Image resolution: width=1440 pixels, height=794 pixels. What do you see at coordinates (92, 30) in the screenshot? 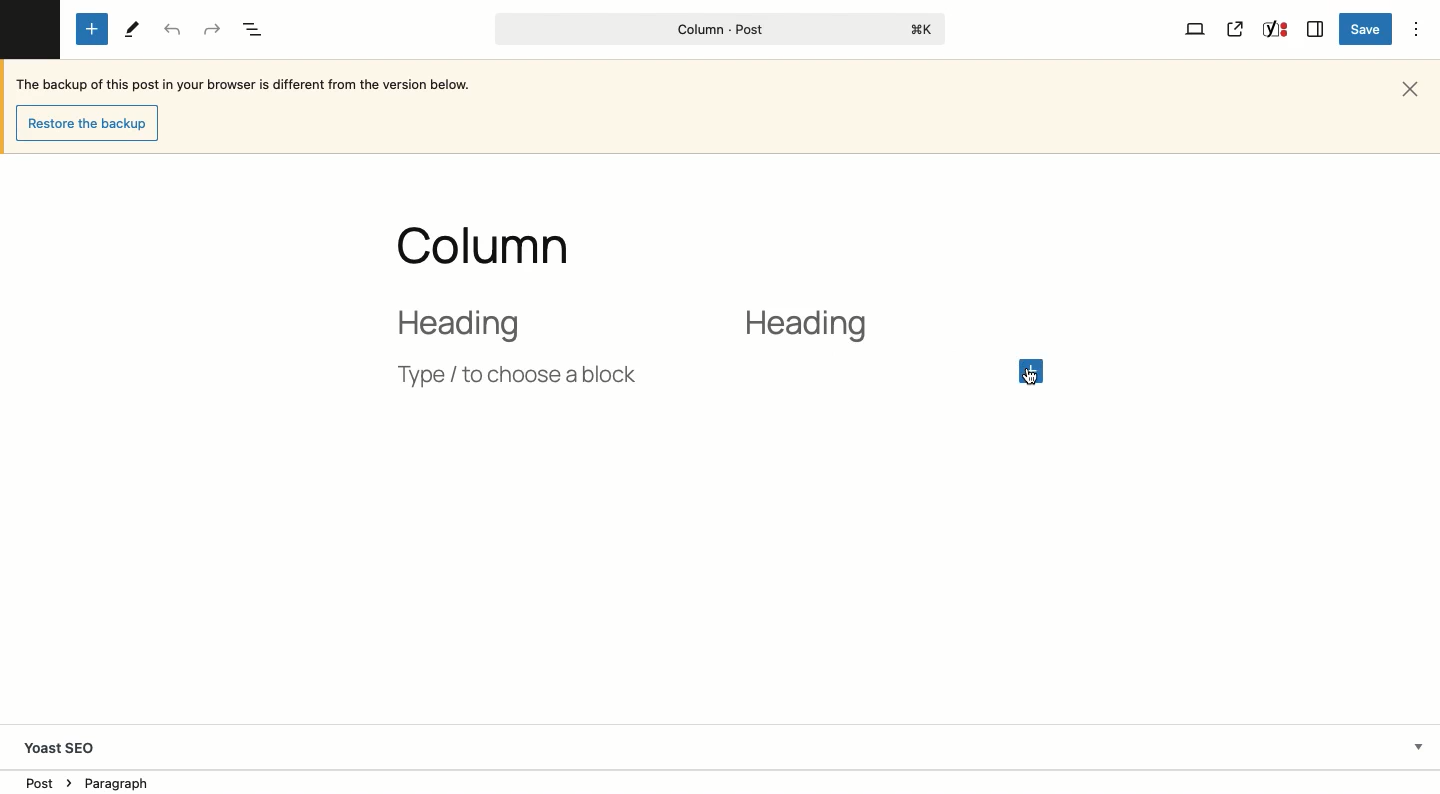
I see `Add new block` at bounding box center [92, 30].